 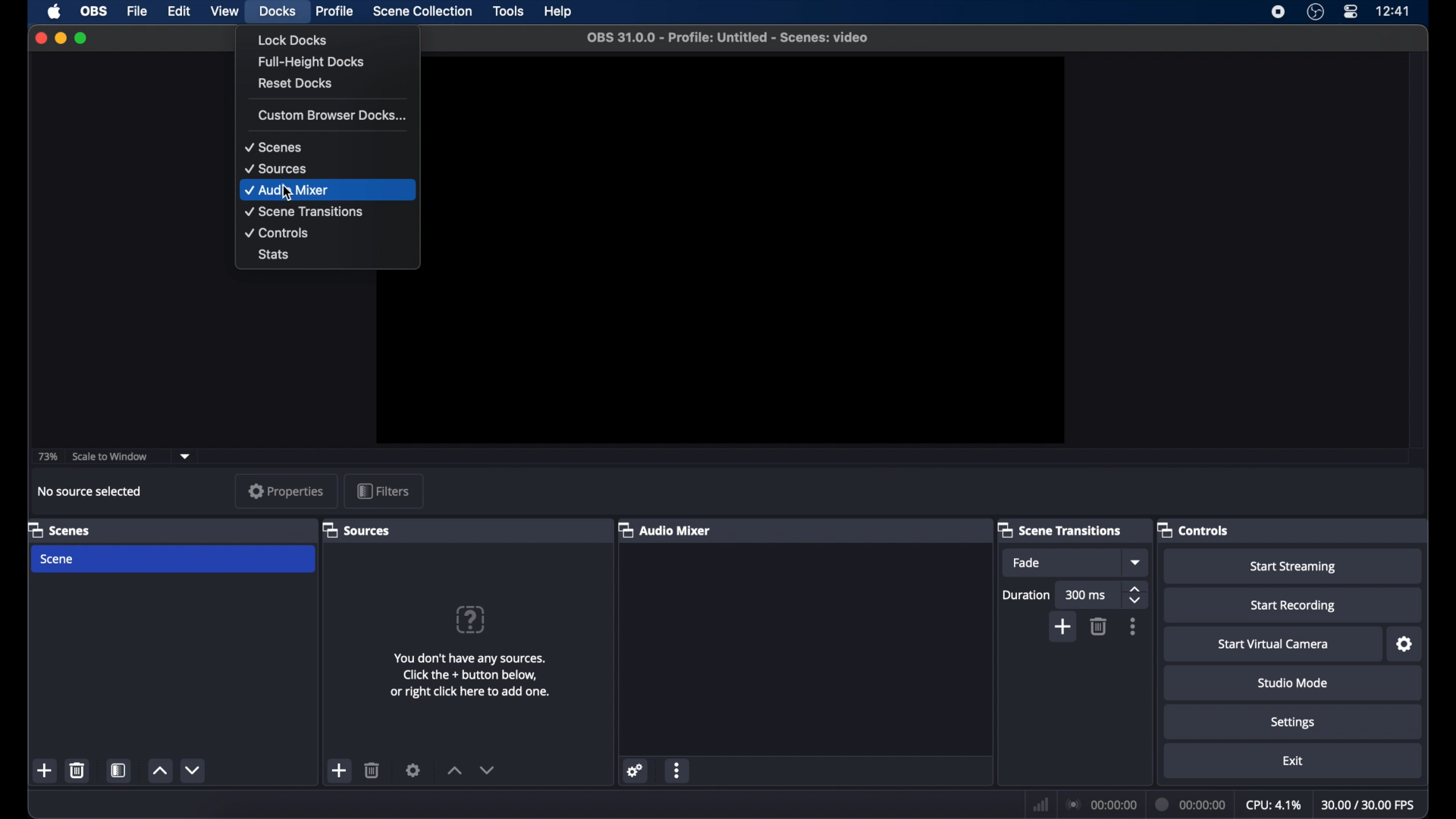 What do you see at coordinates (54, 11) in the screenshot?
I see `apple icon` at bounding box center [54, 11].